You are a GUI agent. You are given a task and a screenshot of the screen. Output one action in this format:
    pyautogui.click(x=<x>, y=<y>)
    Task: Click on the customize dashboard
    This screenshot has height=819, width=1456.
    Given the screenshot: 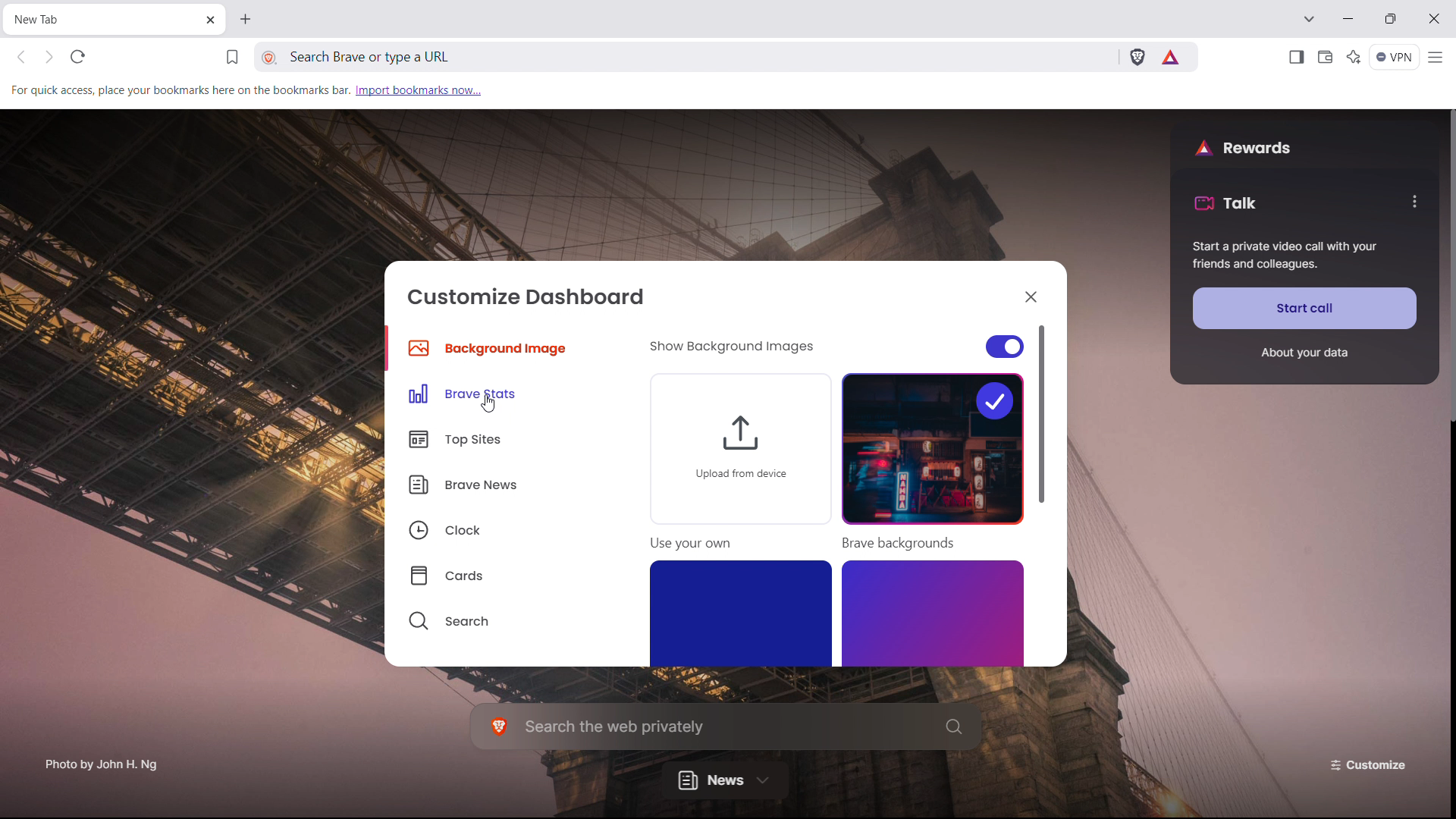 What is the action you would take?
    pyautogui.click(x=527, y=296)
    